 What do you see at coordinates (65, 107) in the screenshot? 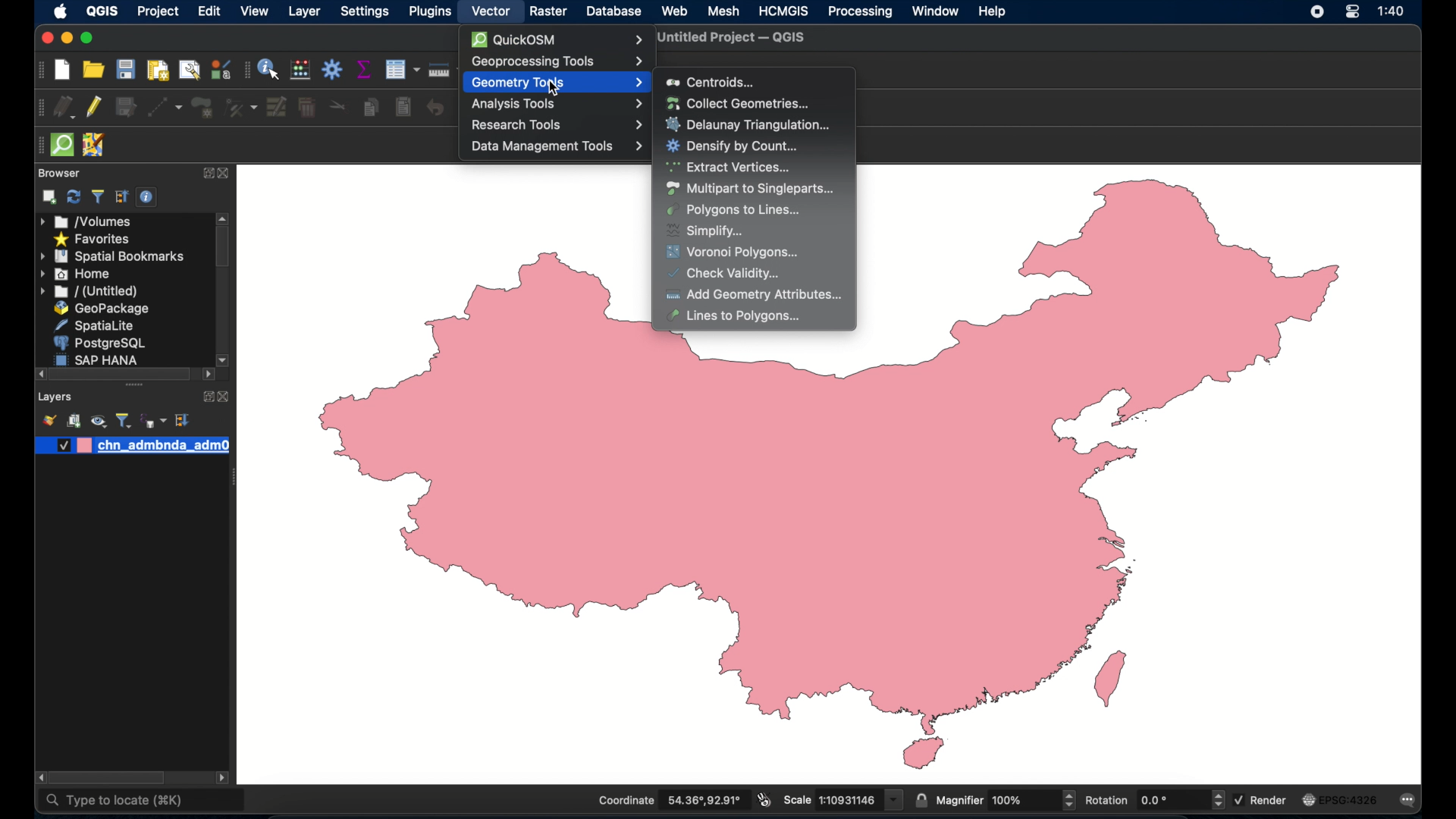
I see `current edits` at bounding box center [65, 107].